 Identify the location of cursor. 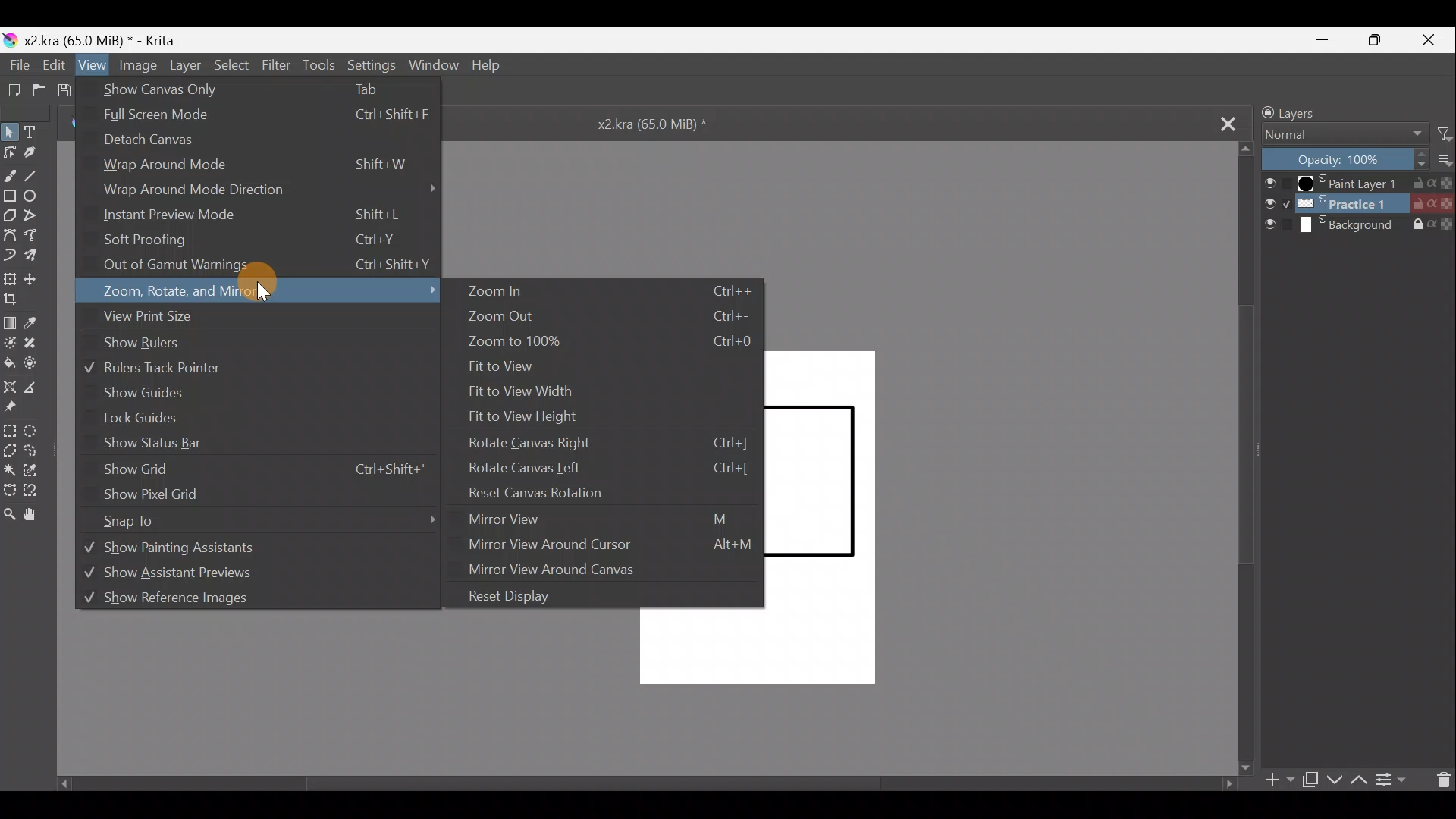
(261, 293).